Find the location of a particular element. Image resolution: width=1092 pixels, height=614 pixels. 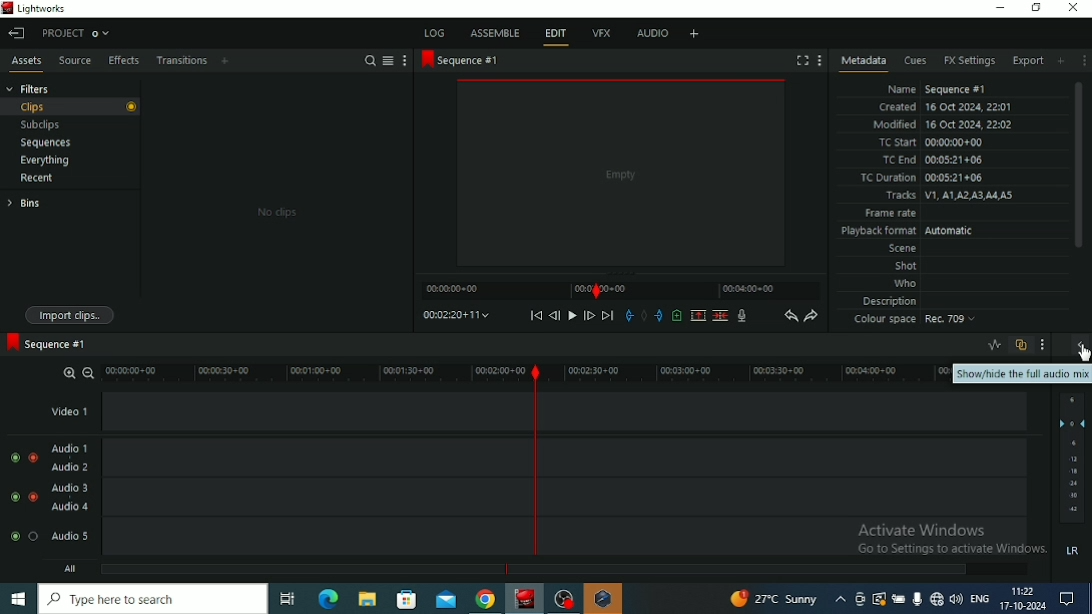

Nudge one frame forward is located at coordinates (589, 315).